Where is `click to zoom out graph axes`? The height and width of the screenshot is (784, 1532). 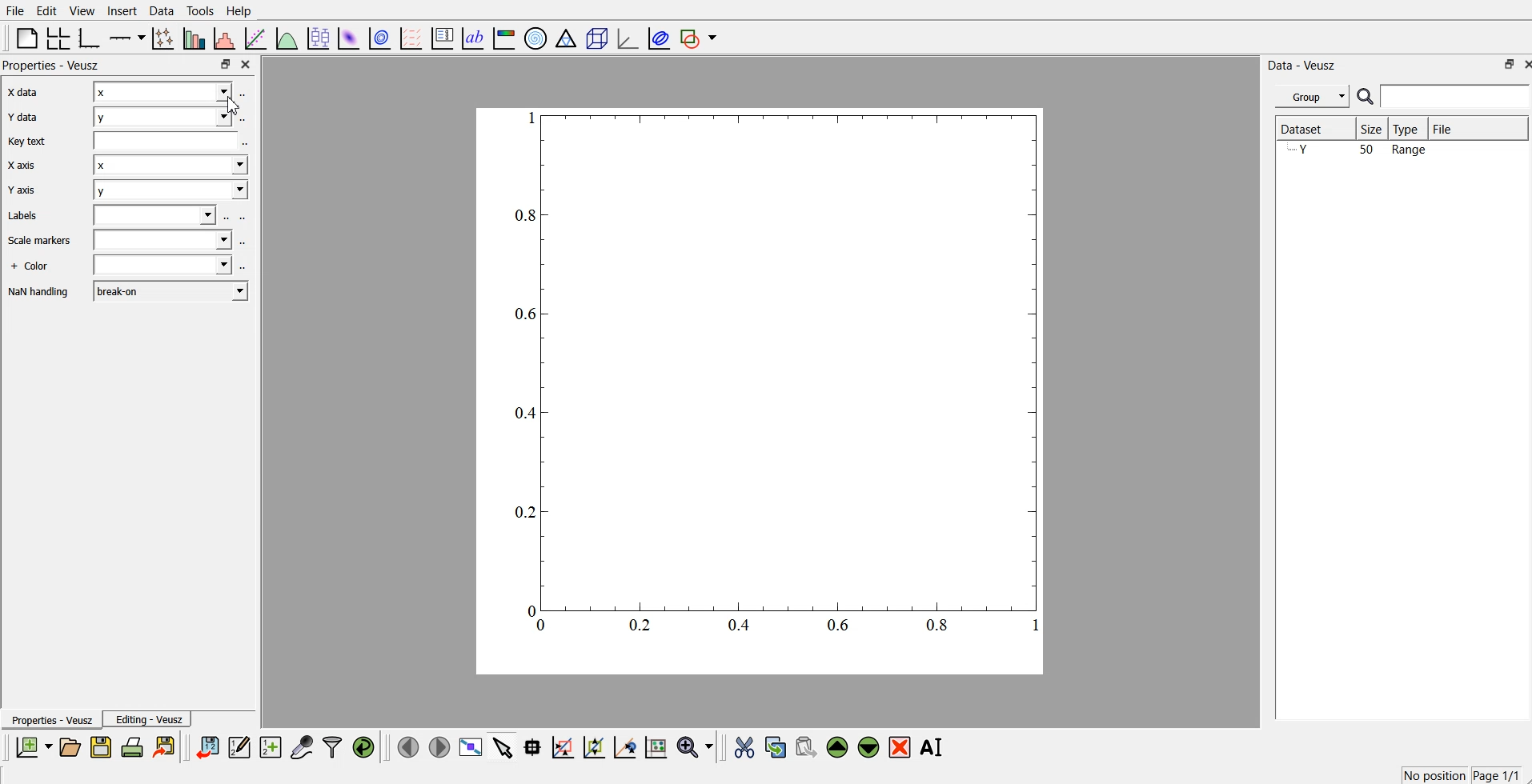 click to zoom out graph axes is located at coordinates (595, 748).